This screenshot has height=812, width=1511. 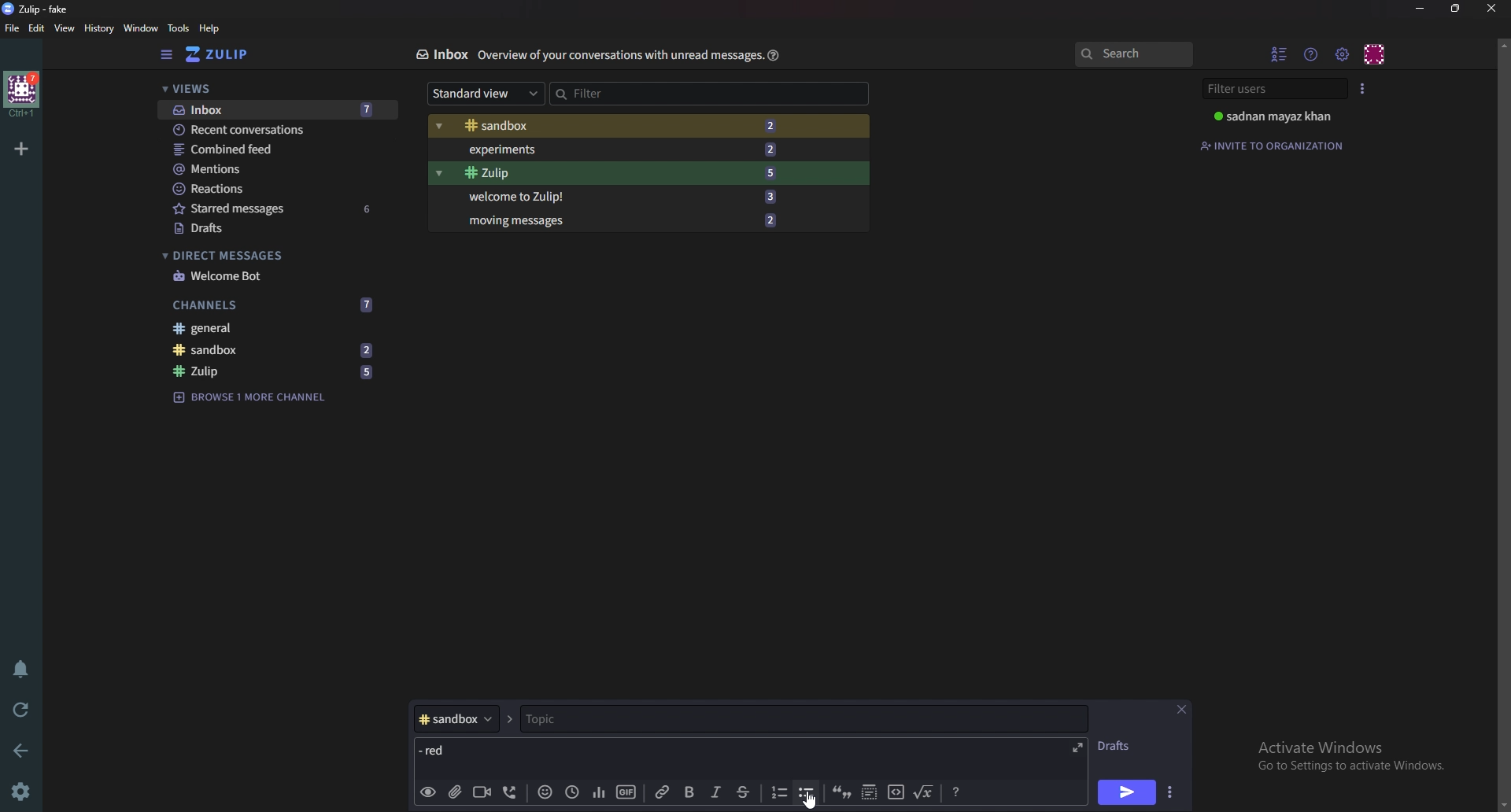 I want to click on Scroll bar, so click(x=1502, y=424).